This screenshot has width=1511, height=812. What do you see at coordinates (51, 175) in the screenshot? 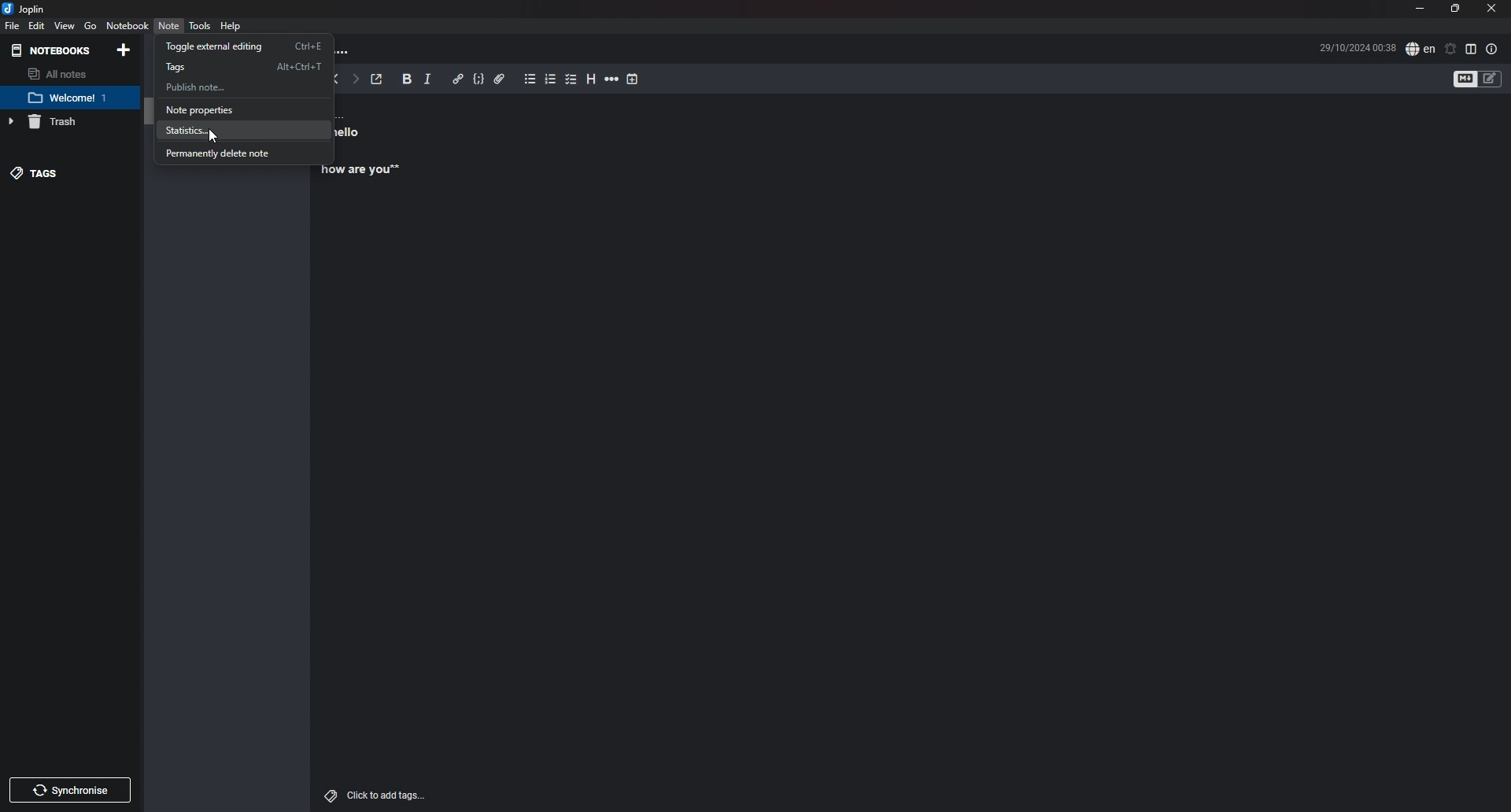
I see `tags` at bounding box center [51, 175].